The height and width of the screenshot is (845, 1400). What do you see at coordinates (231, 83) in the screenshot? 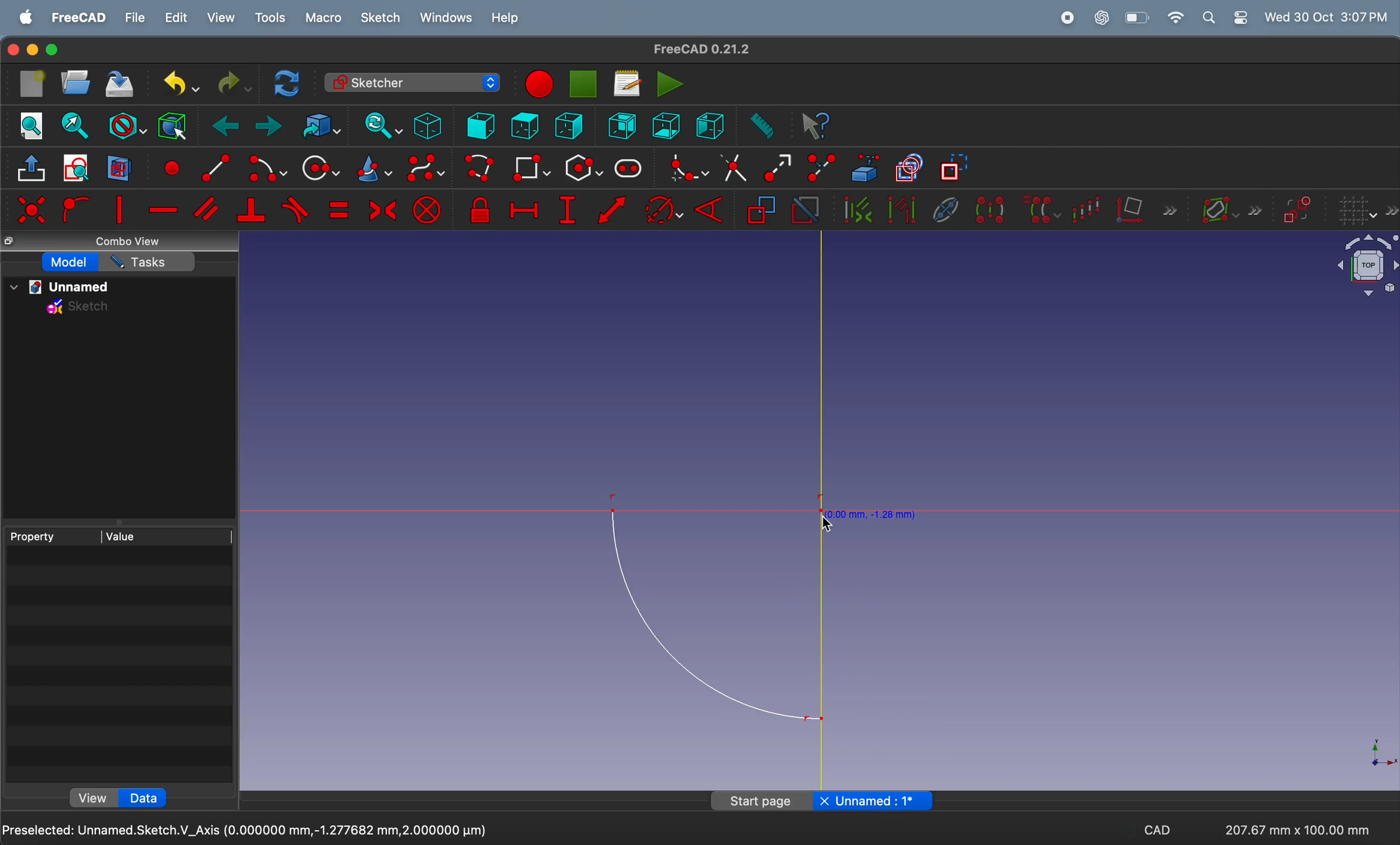
I see `redo` at bounding box center [231, 83].